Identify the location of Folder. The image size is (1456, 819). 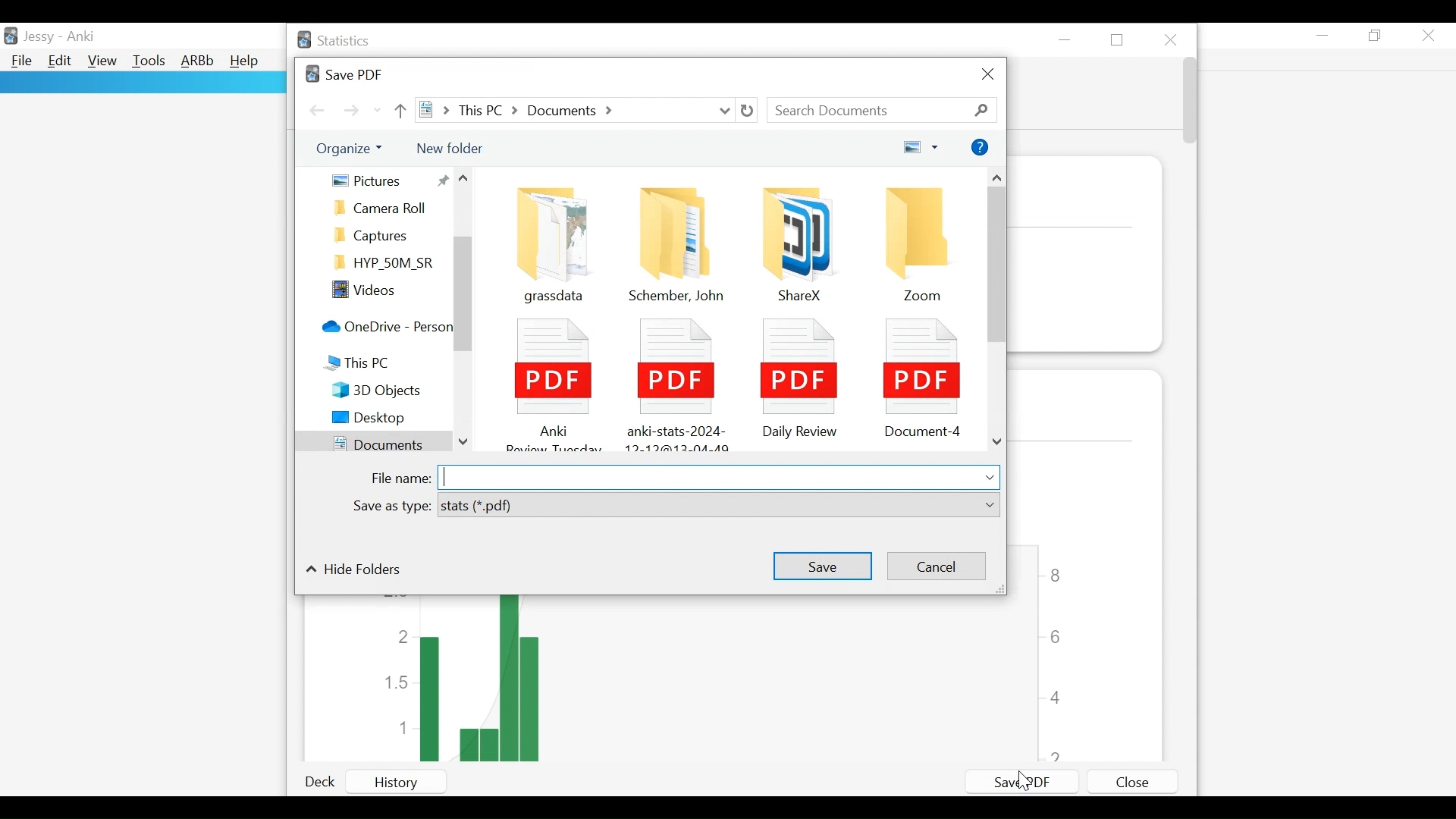
(677, 242).